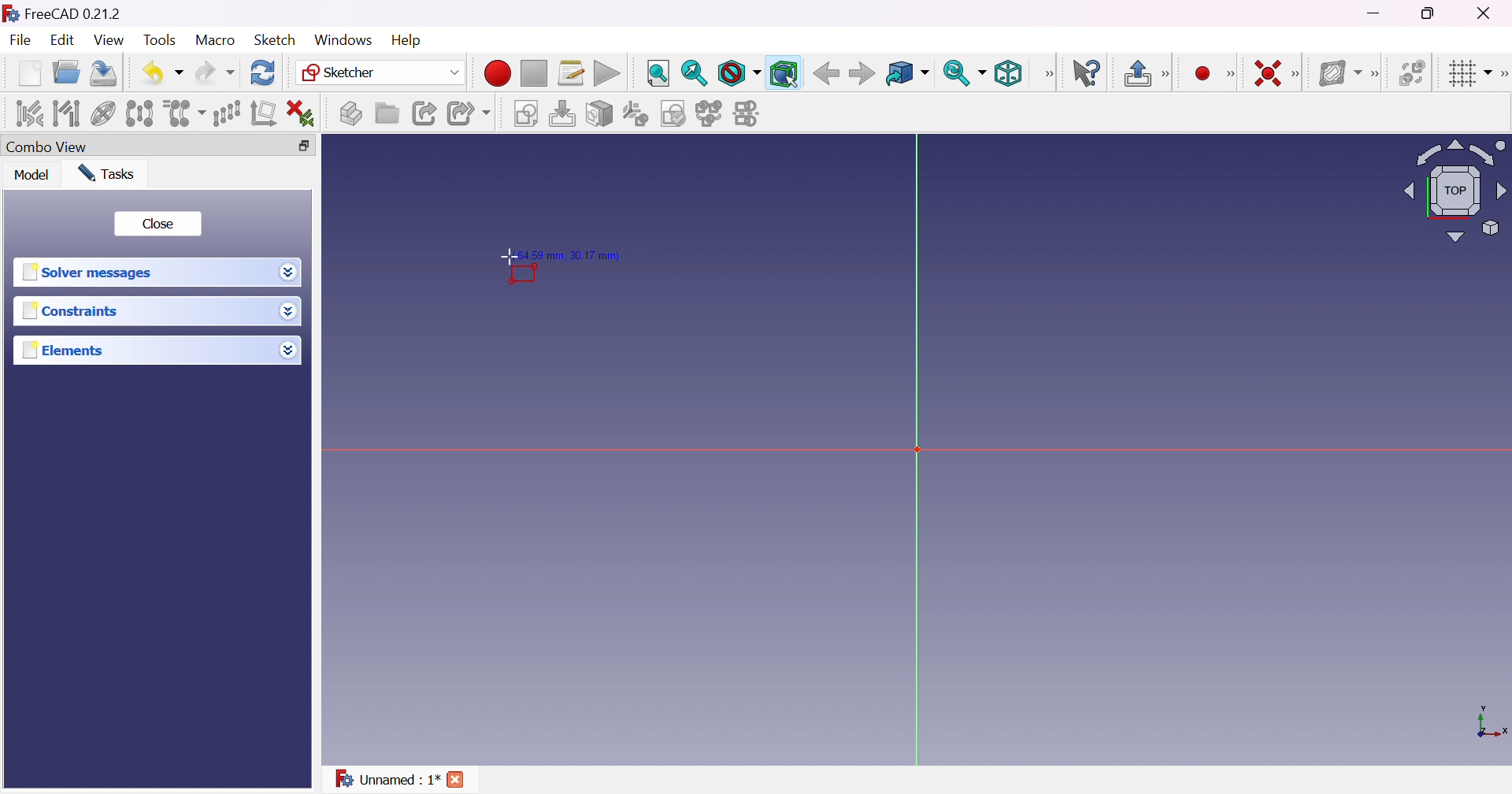 The image size is (1512, 794). Describe the element at coordinates (265, 72) in the screenshot. I see `Refresh` at that location.